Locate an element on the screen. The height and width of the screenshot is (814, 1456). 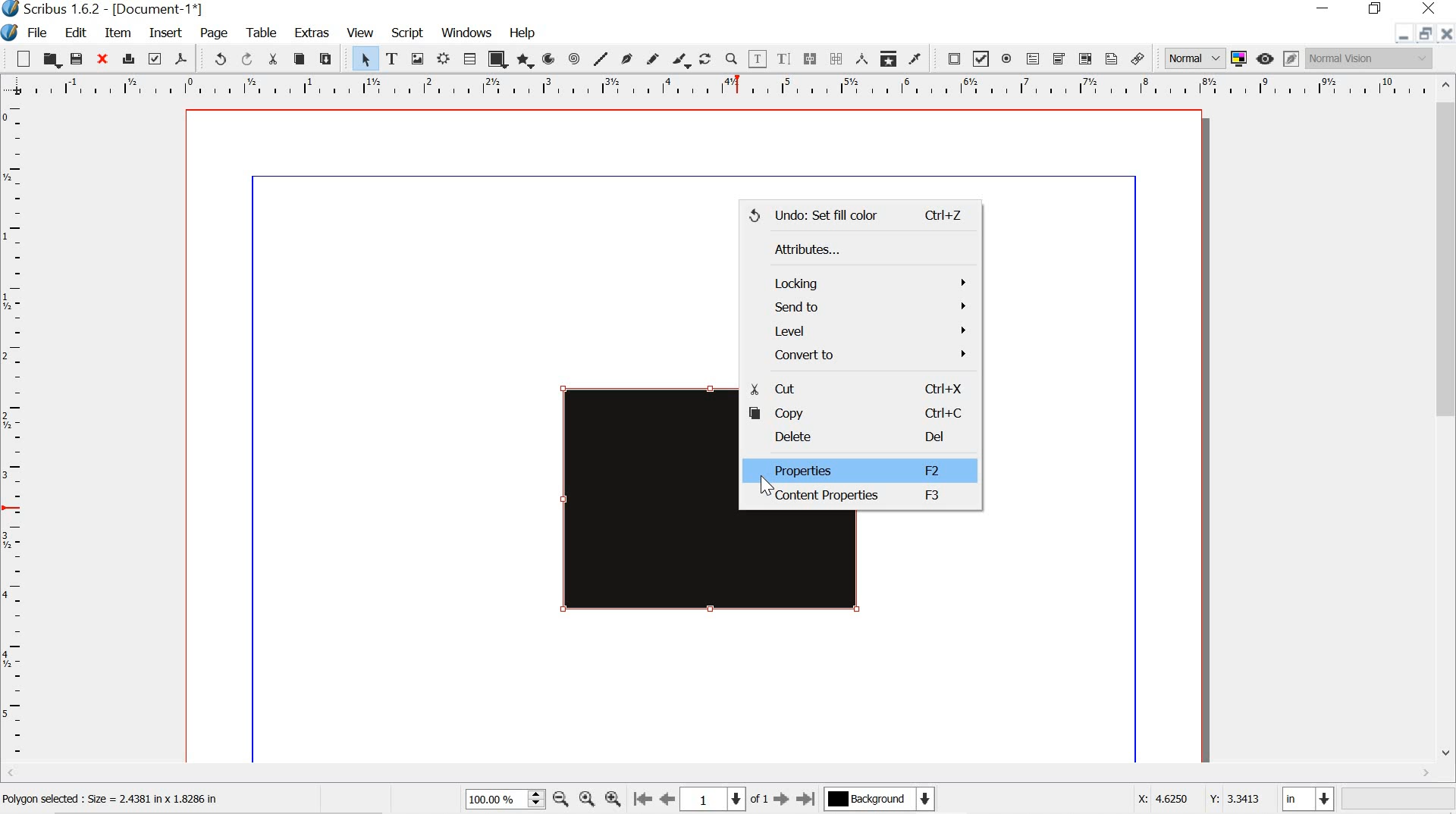
Undo: Set fill color is located at coordinates (857, 215).